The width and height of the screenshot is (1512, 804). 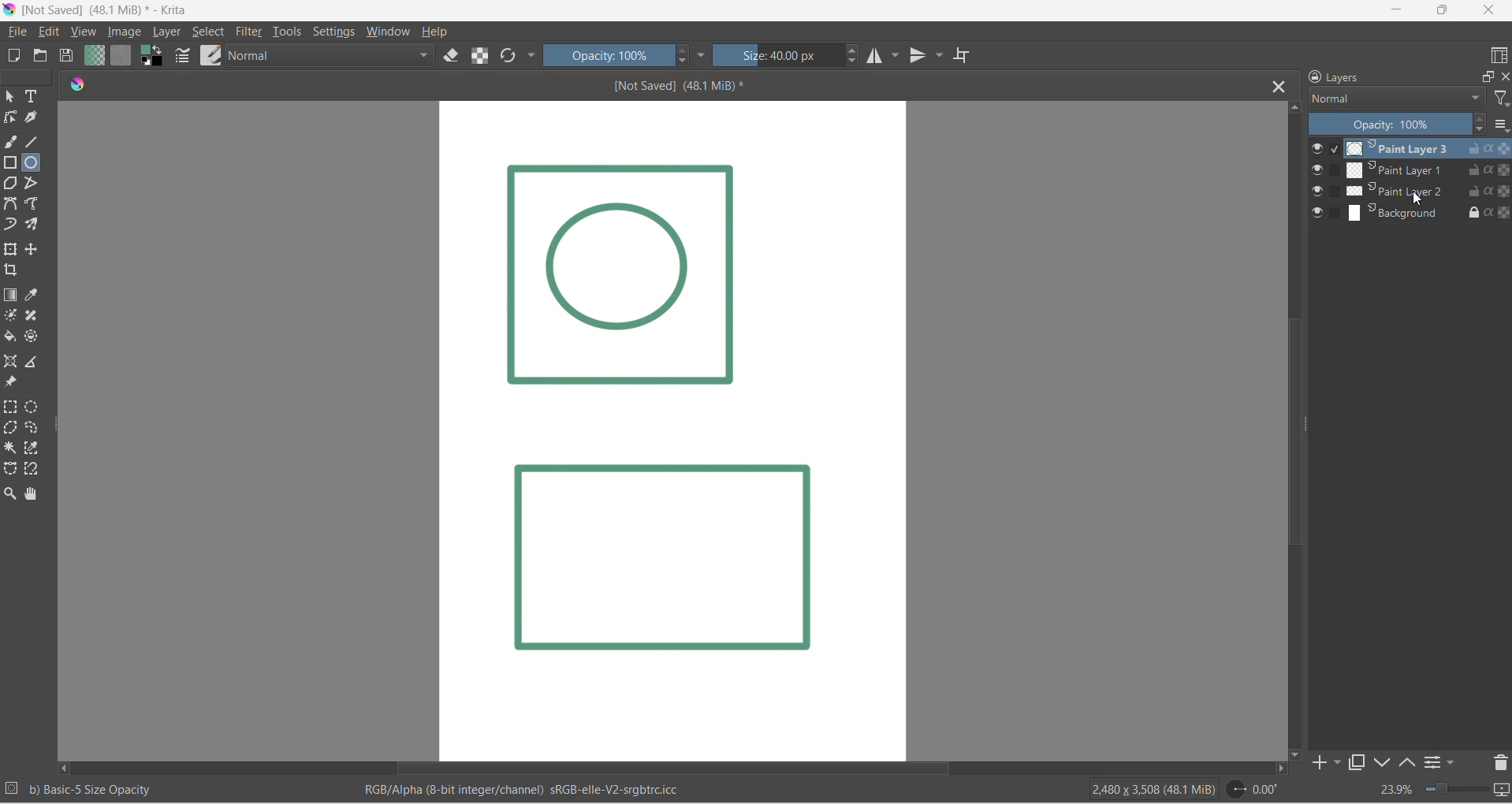 I want to click on checkbox, so click(x=1335, y=169).